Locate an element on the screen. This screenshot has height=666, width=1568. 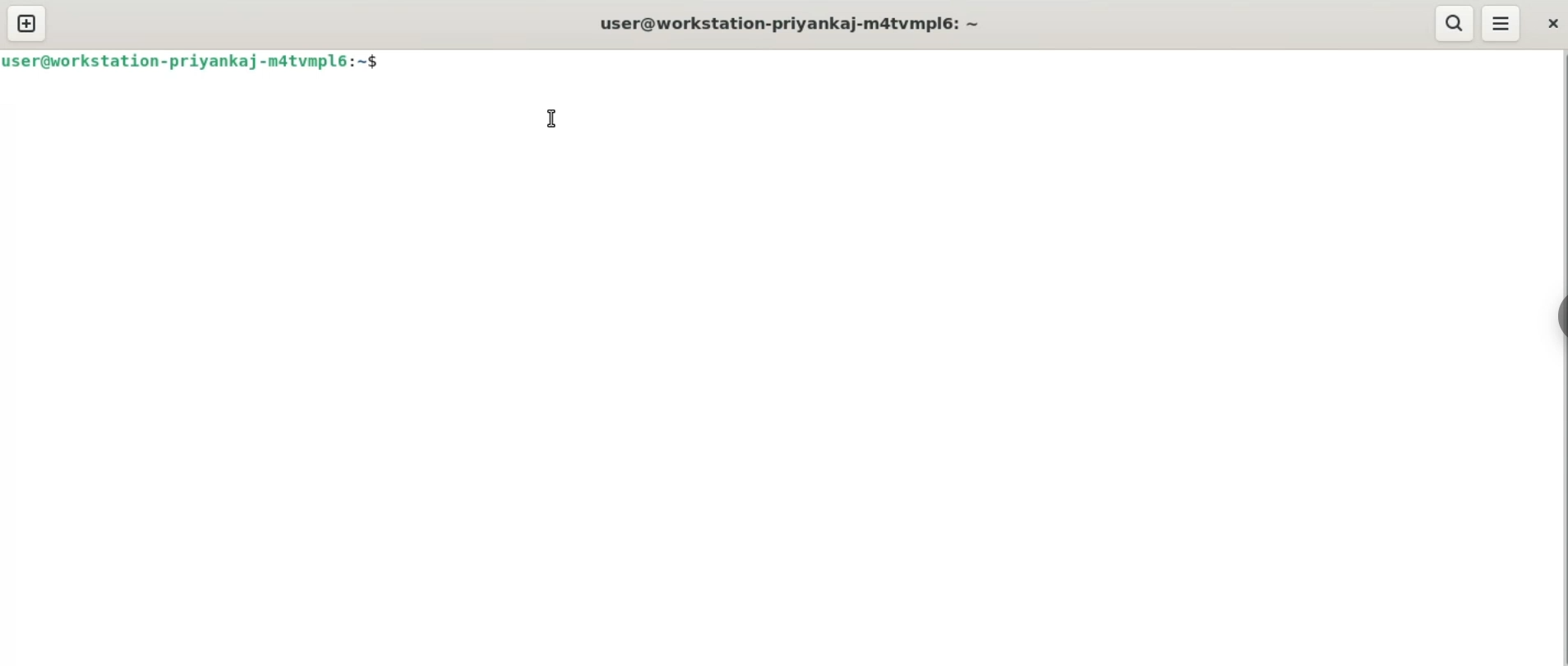
search is located at coordinates (1456, 23).